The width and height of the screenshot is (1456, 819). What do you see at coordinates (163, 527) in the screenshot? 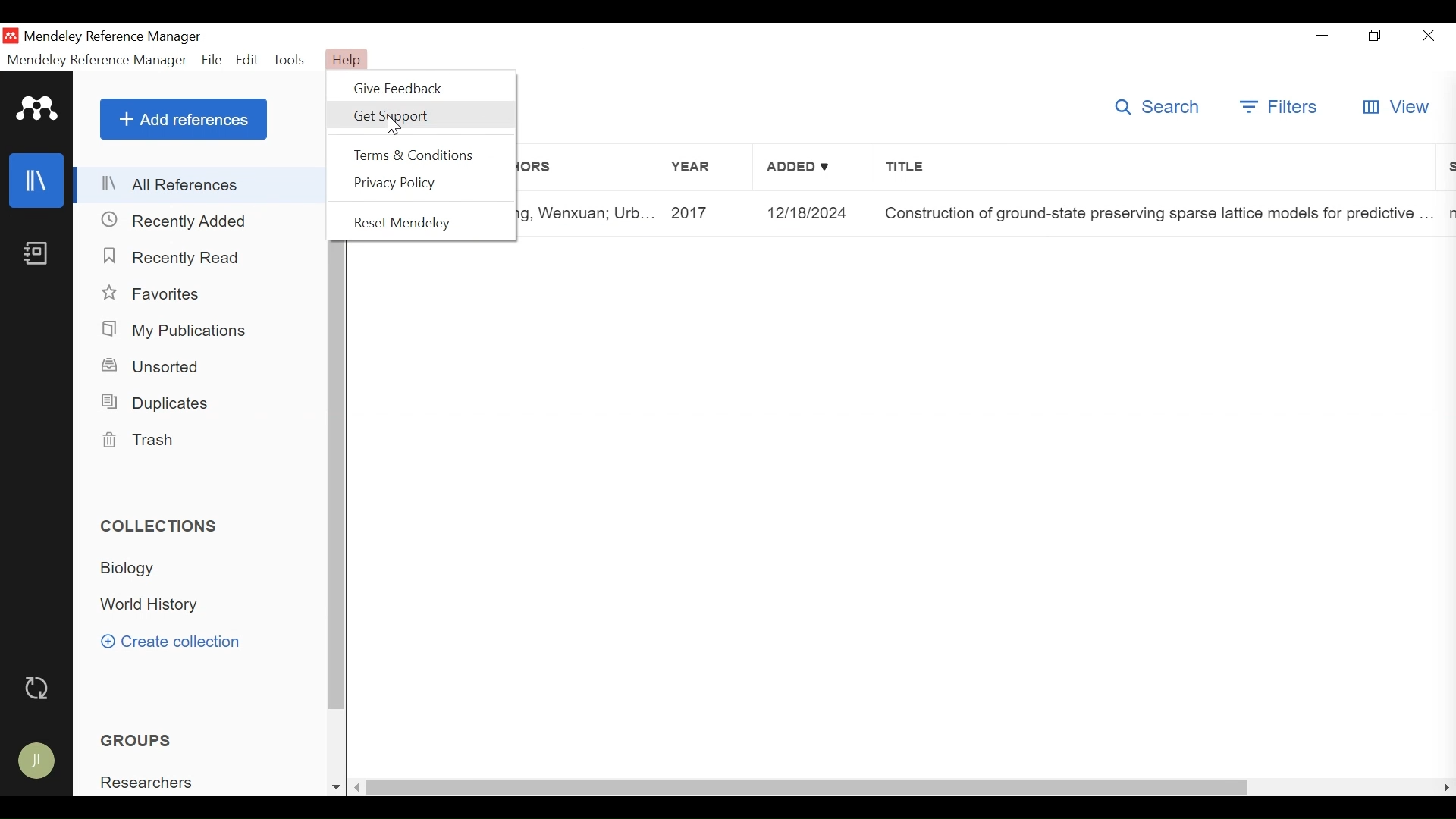
I see `Collections` at bounding box center [163, 527].